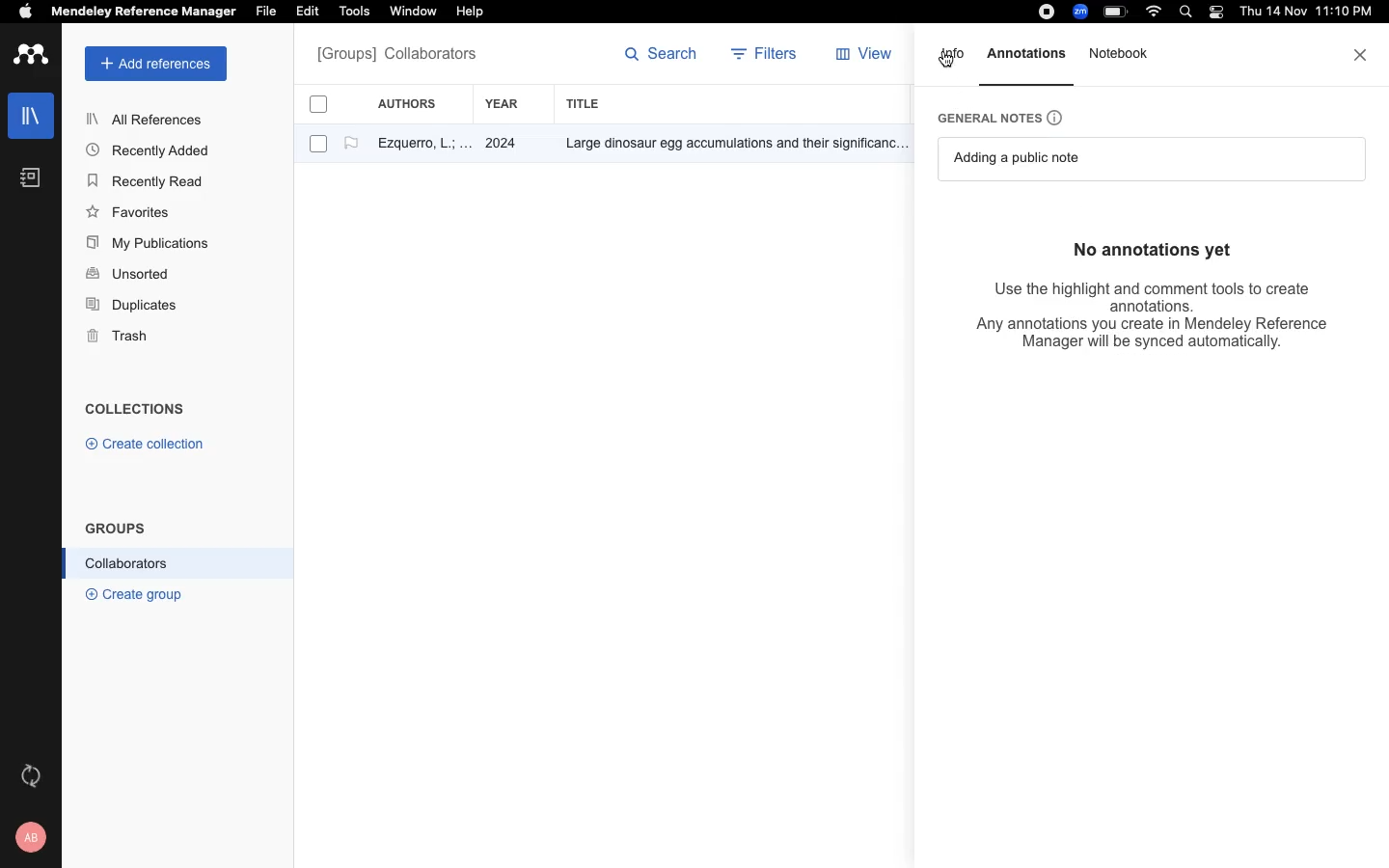 The width and height of the screenshot is (1389, 868). I want to click on ‘Window, so click(415, 14).